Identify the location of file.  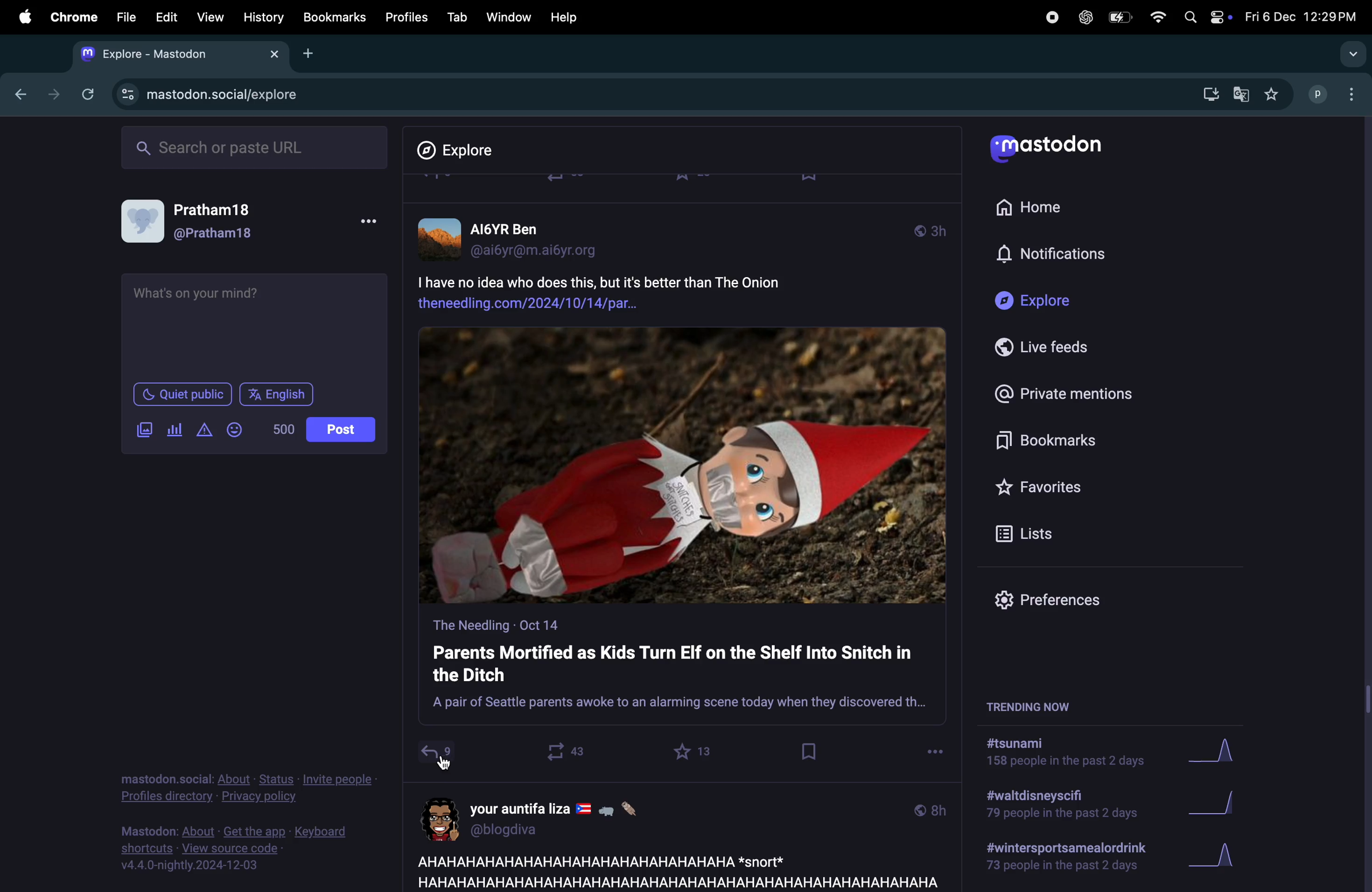
(126, 17).